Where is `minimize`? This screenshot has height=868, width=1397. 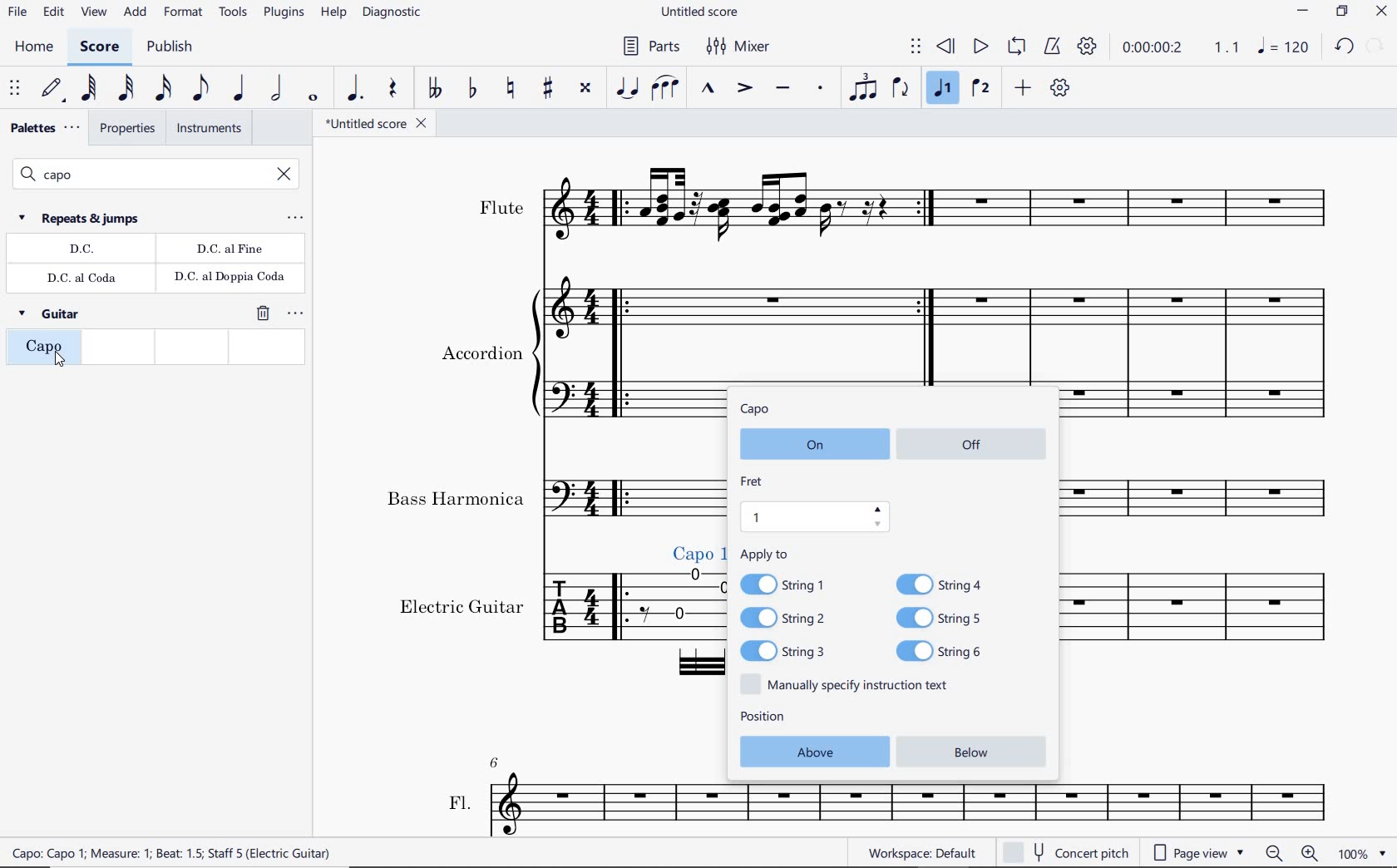 minimize is located at coordinates (1303, 12).